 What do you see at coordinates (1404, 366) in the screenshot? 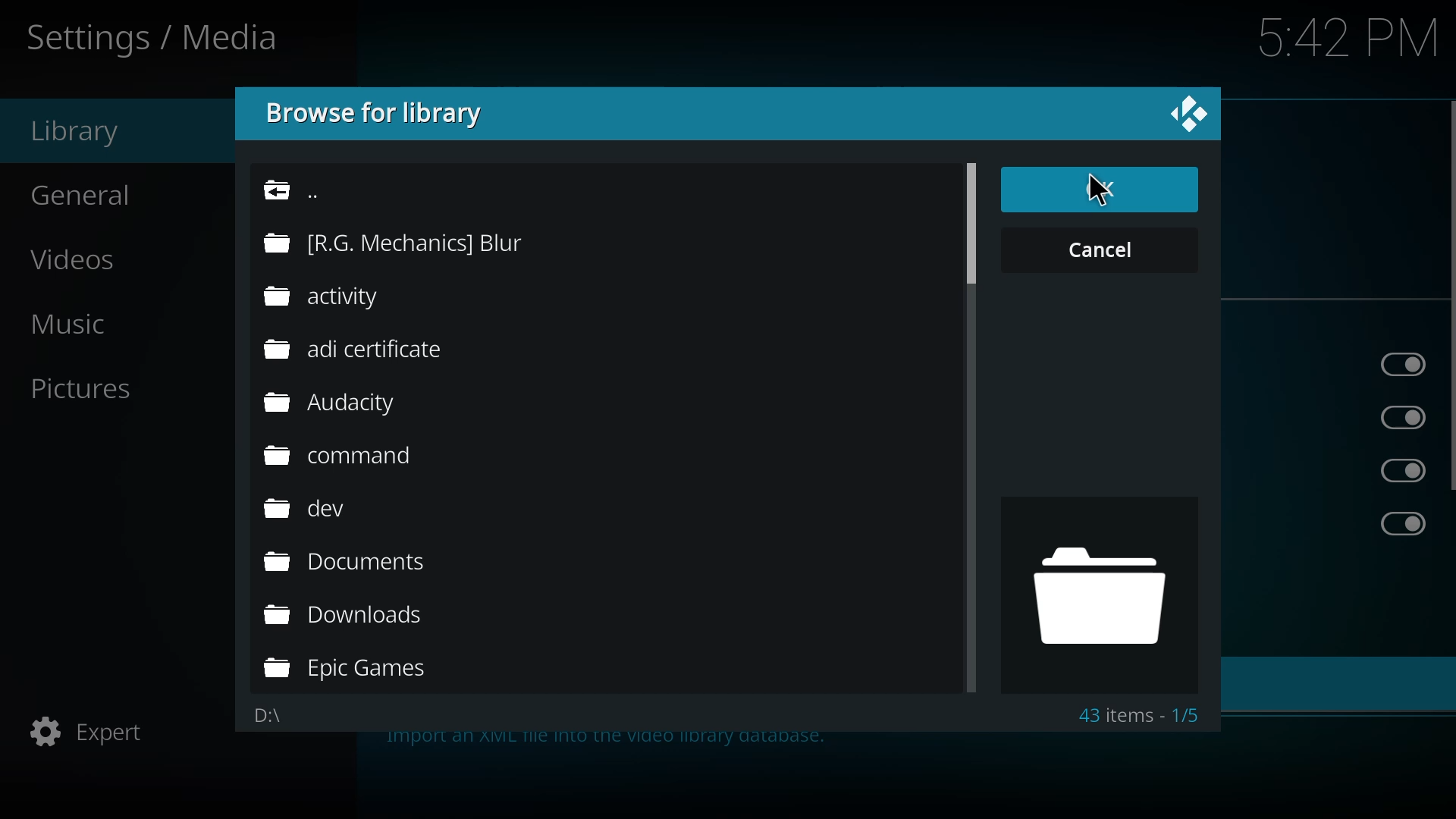
I see `enabled` at bounding box center [1404, 366].